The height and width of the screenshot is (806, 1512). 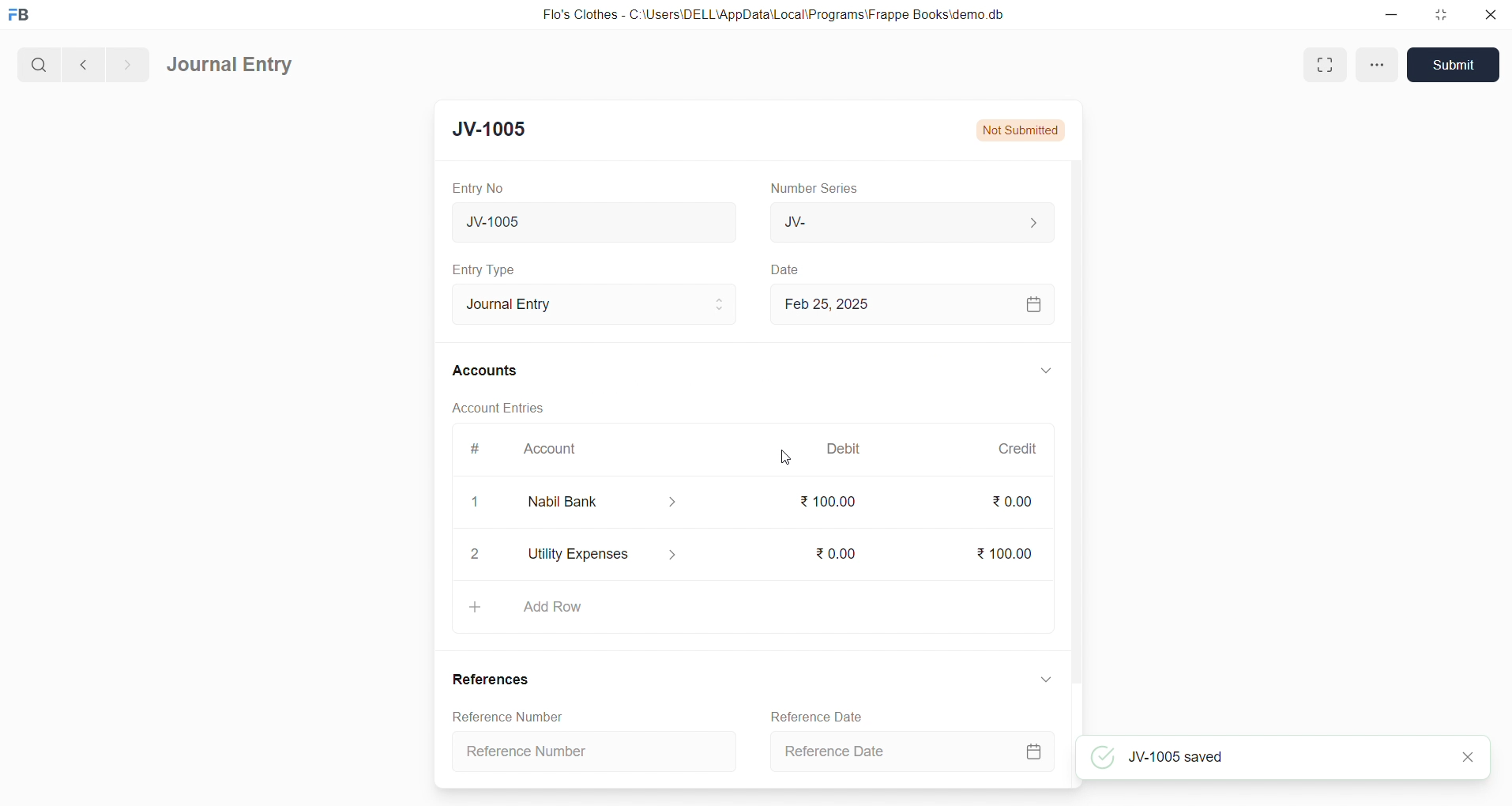 I want to click on search, so click(x=37, y=62).